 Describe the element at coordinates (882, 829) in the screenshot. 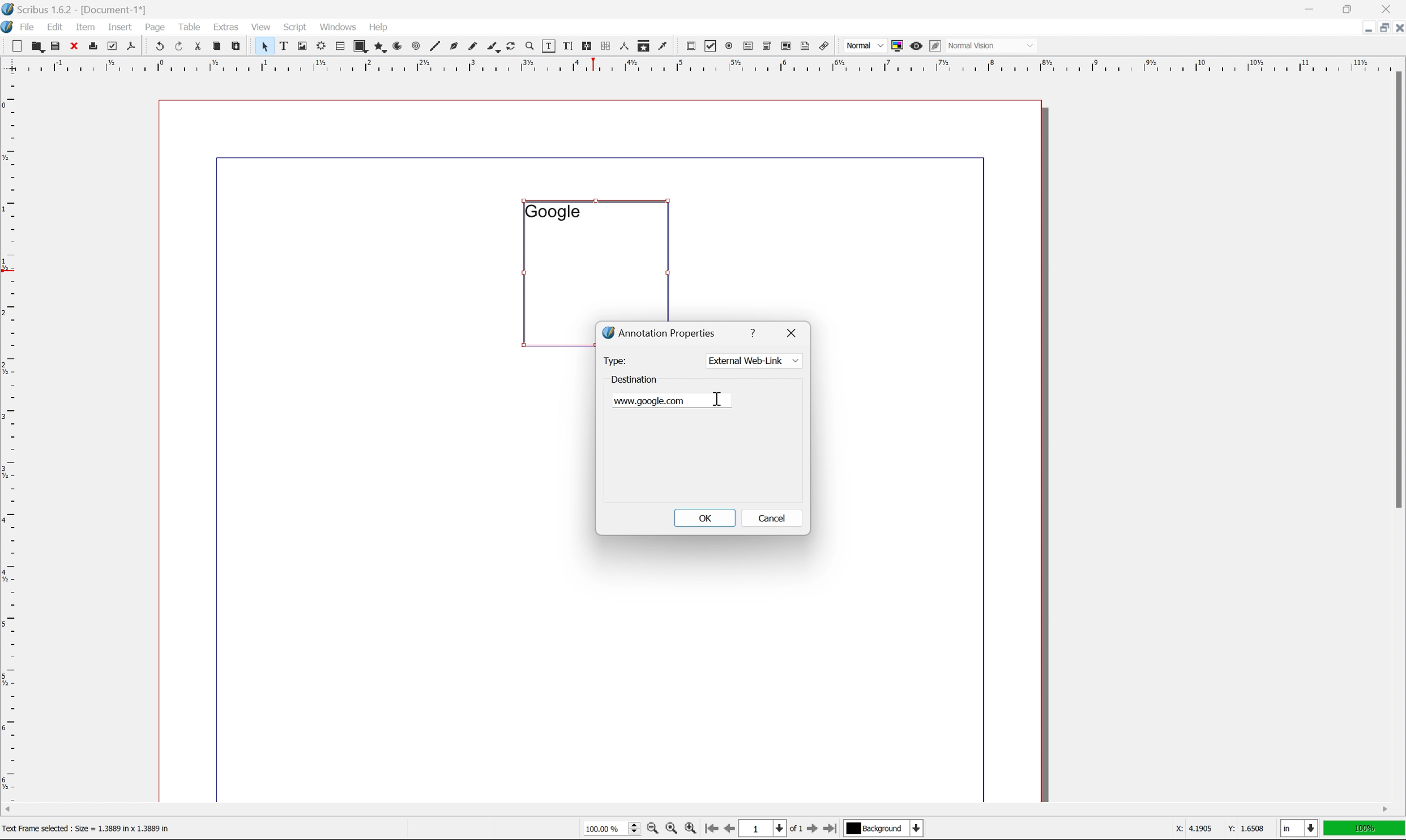

I see `select current layer` at that location.